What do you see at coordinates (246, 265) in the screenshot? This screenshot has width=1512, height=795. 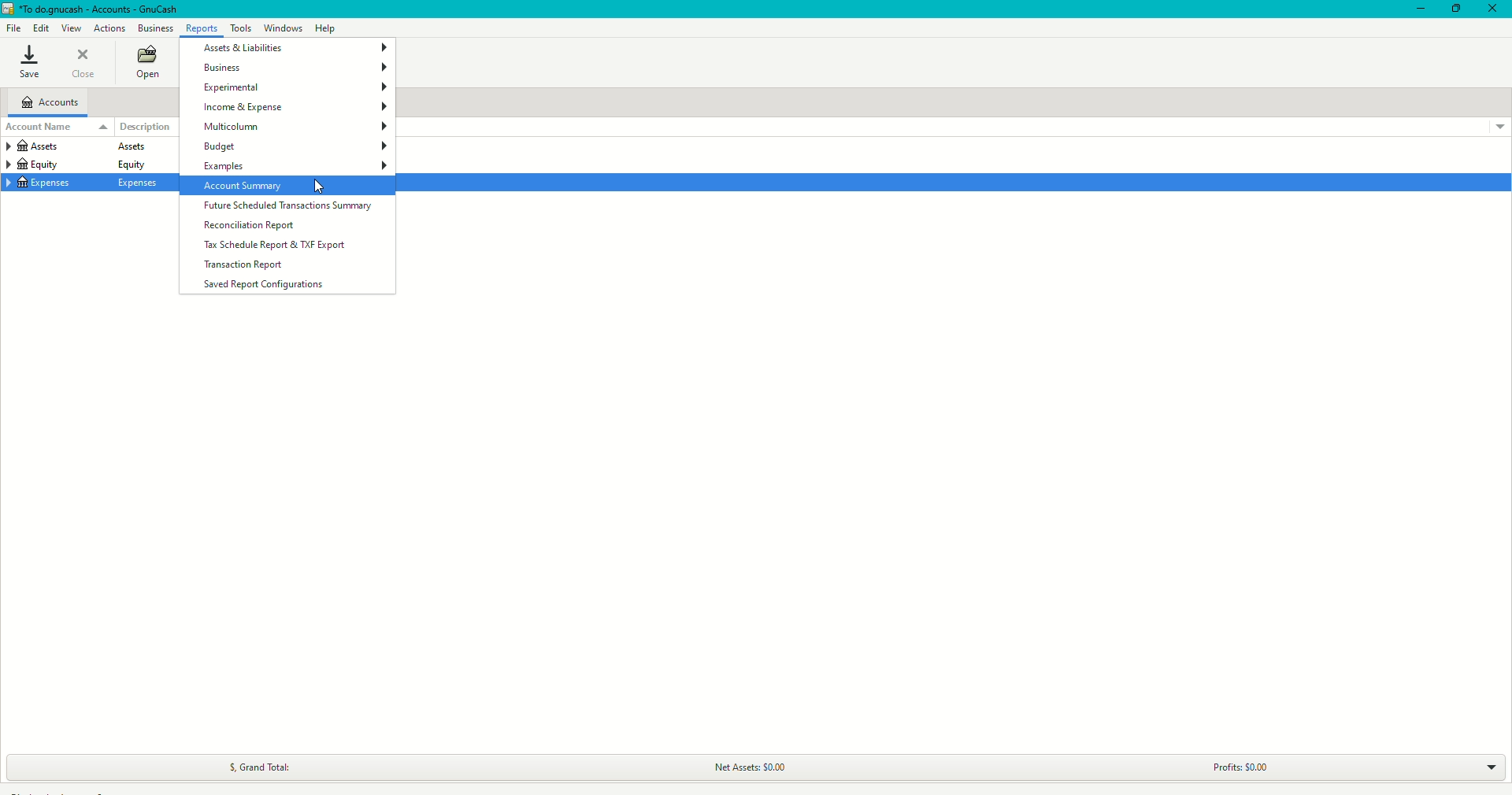 I see `Transaction Report` at bounding box center [246, 265].